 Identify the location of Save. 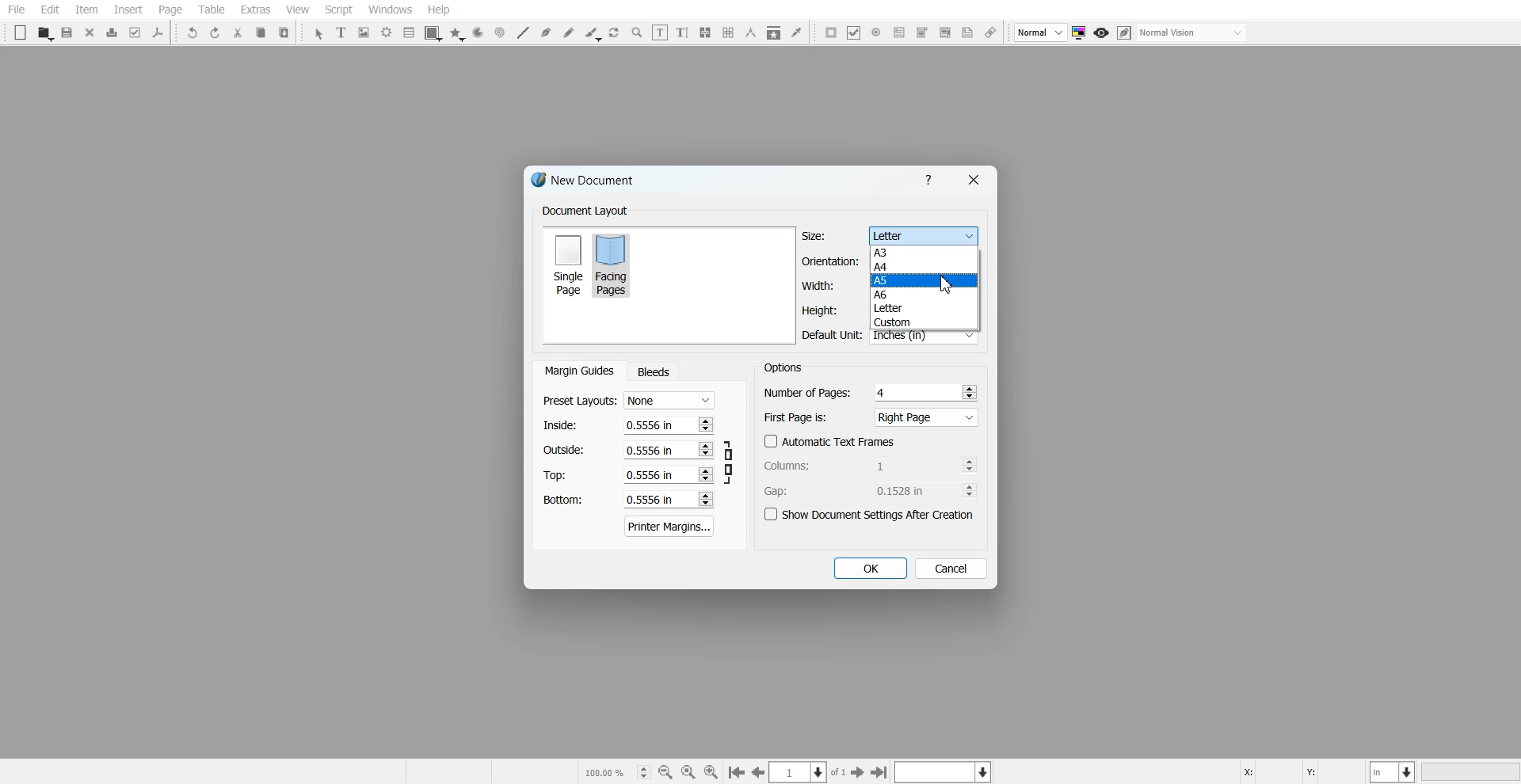
(68, 32).